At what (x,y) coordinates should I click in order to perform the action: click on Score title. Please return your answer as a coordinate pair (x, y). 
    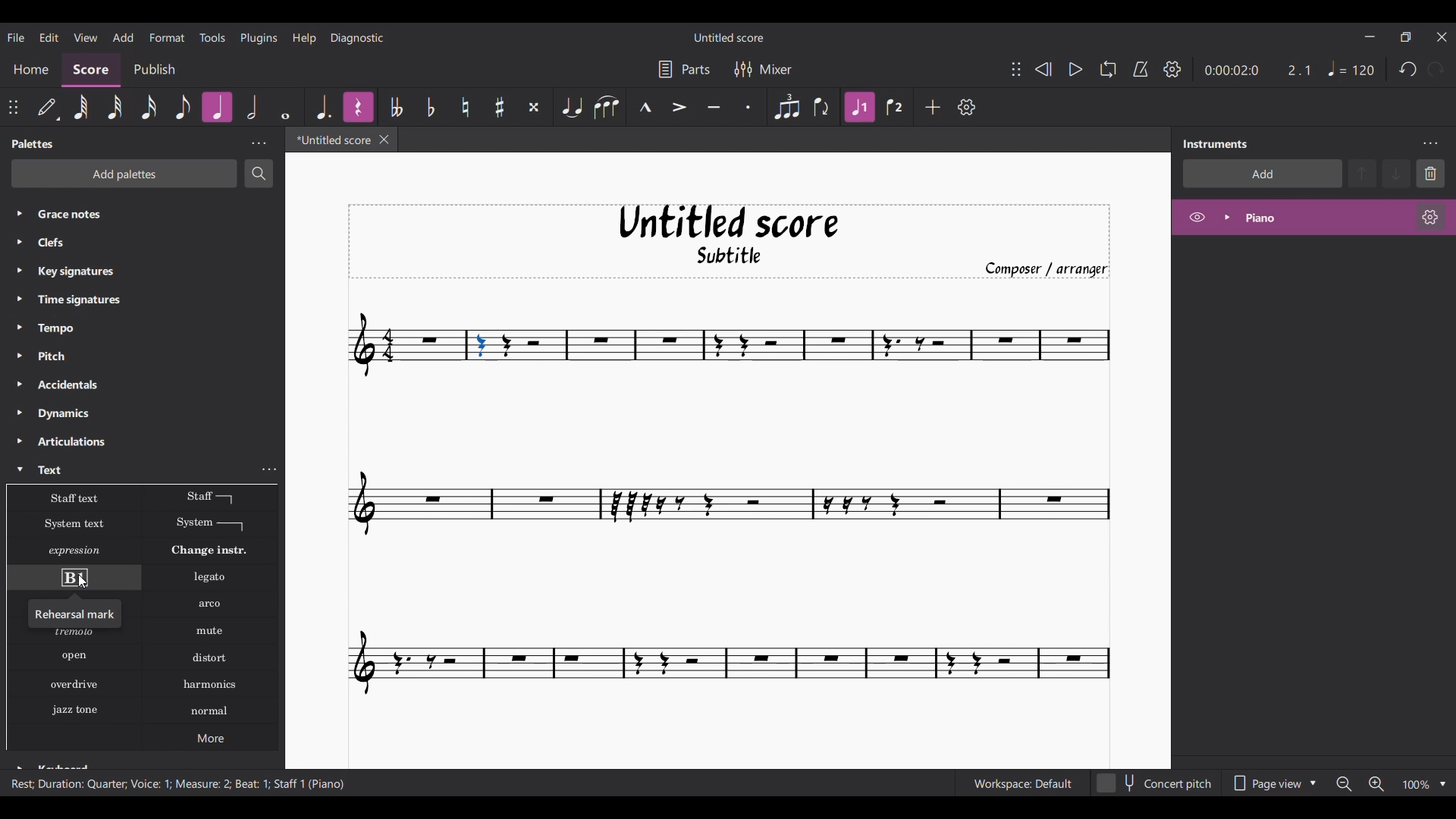
    Looking at the image, I should click on (727, 36).